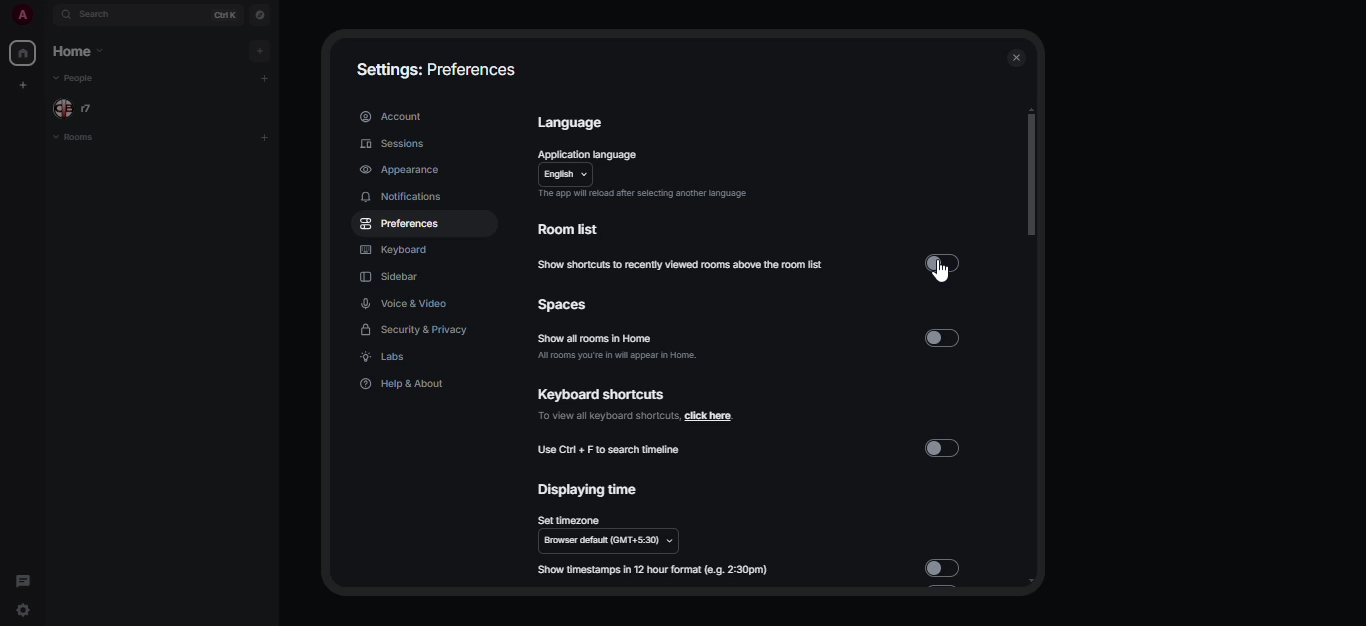 This screenshot has width=1366, height=626. I want to click on show all rooms in home, so click(596, 338).